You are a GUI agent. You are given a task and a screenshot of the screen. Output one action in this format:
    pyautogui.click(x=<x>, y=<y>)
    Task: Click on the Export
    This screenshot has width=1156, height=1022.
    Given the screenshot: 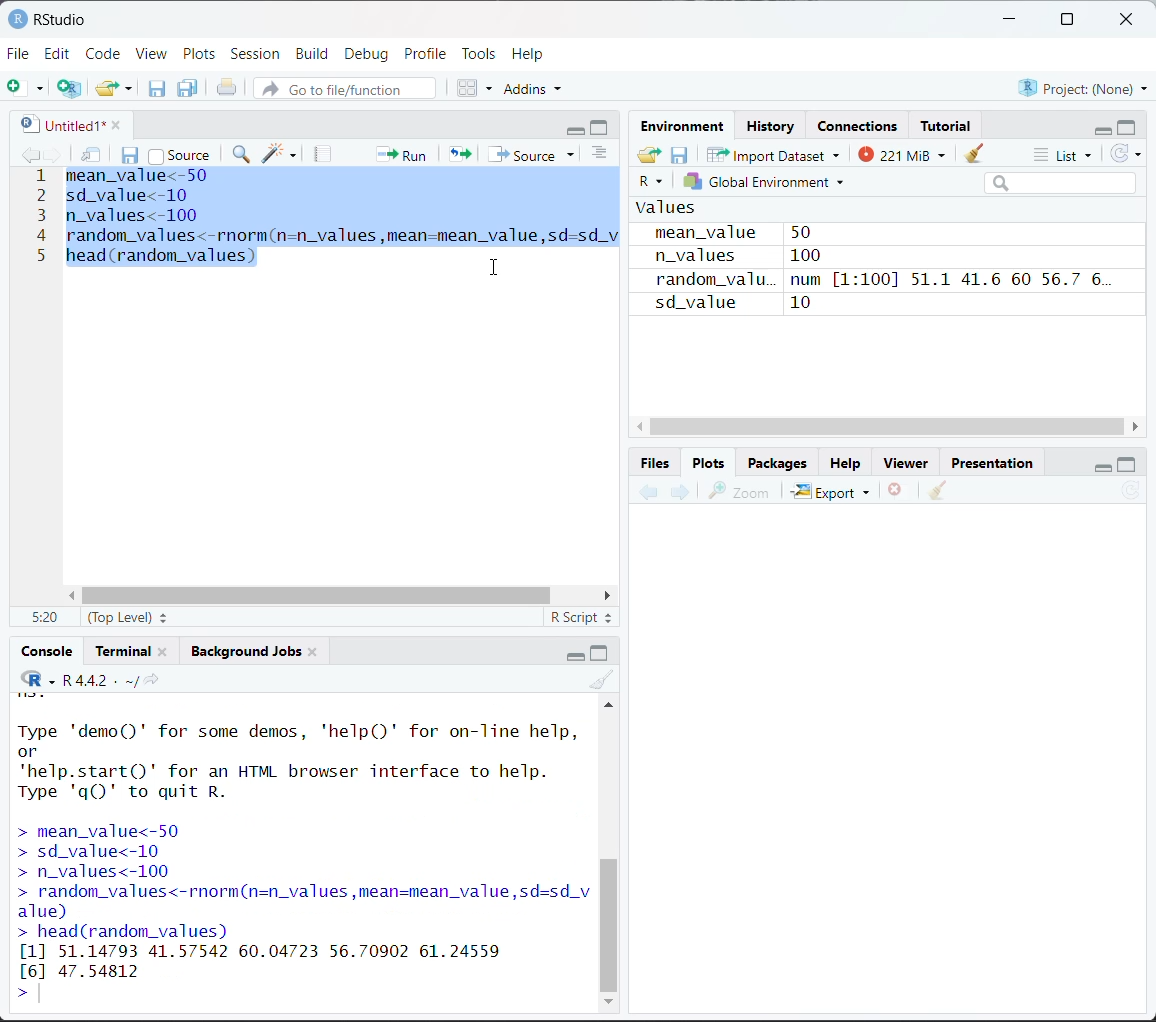 What is the action you would take?
    pyautogui.click(x=832, y=491)
    